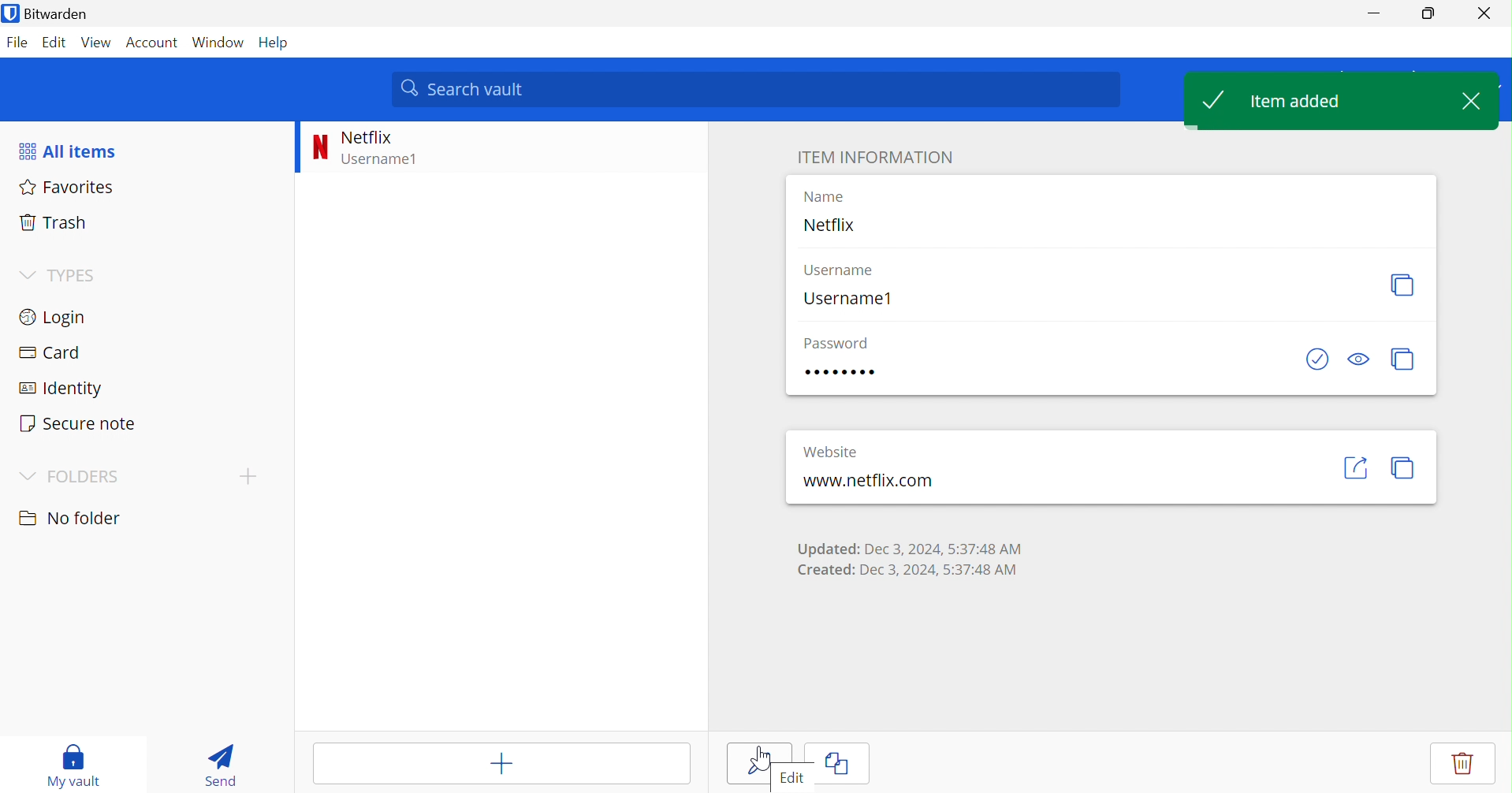 This screenshot has width=1512, height=793. What do you see at coordinates (749, 763) in the screenshot?
I see `edit` at bounding box center [749, 763].